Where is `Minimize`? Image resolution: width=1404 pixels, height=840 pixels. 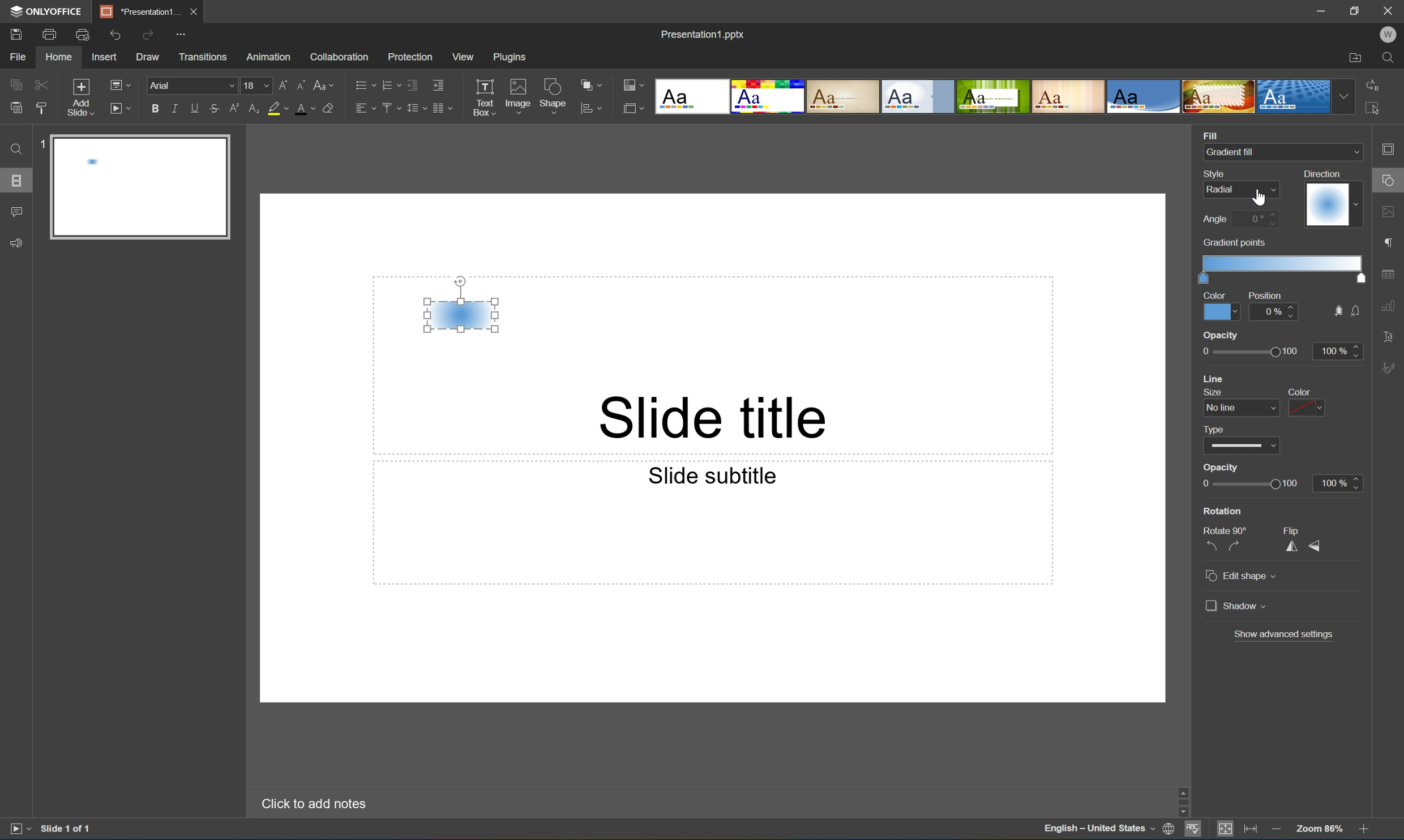 Minimize is located at coordinates (1325, 11).